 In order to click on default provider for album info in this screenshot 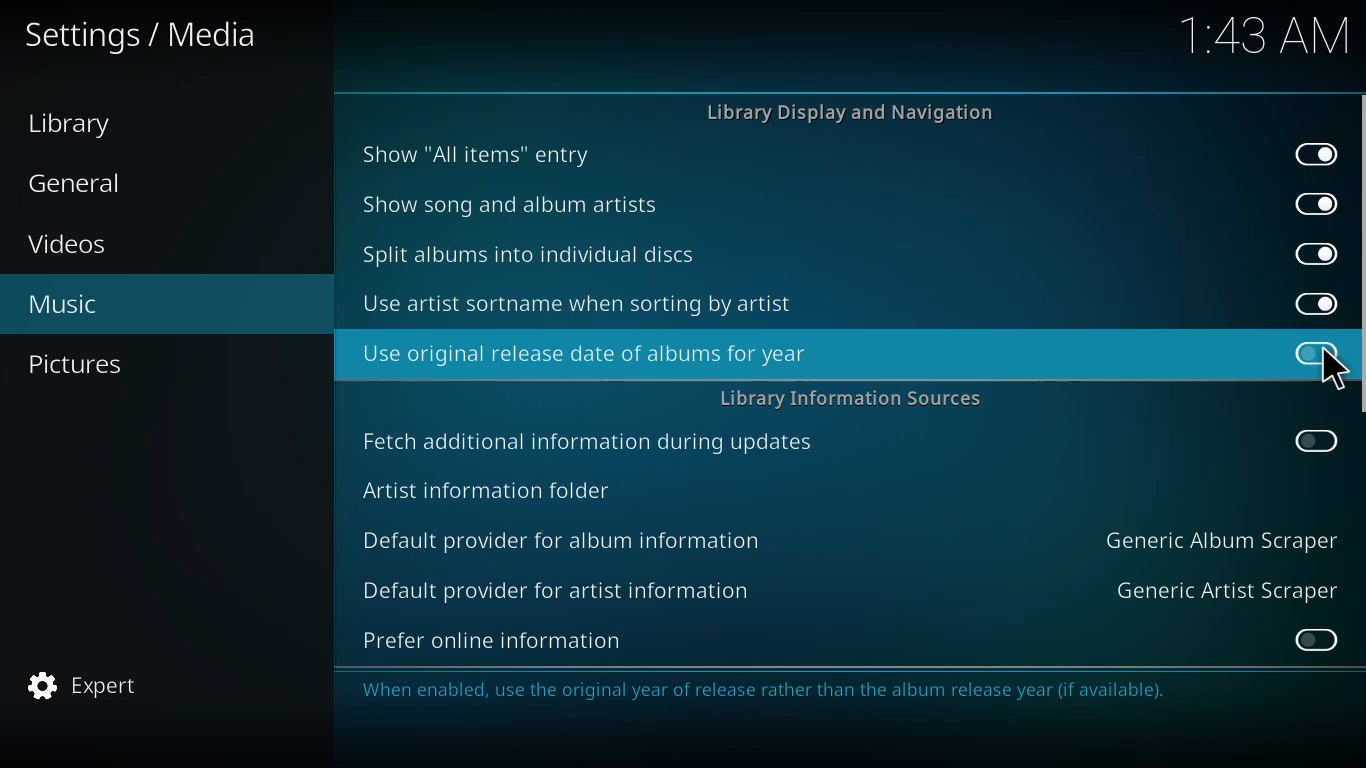, I will do `click(566, 538)`.